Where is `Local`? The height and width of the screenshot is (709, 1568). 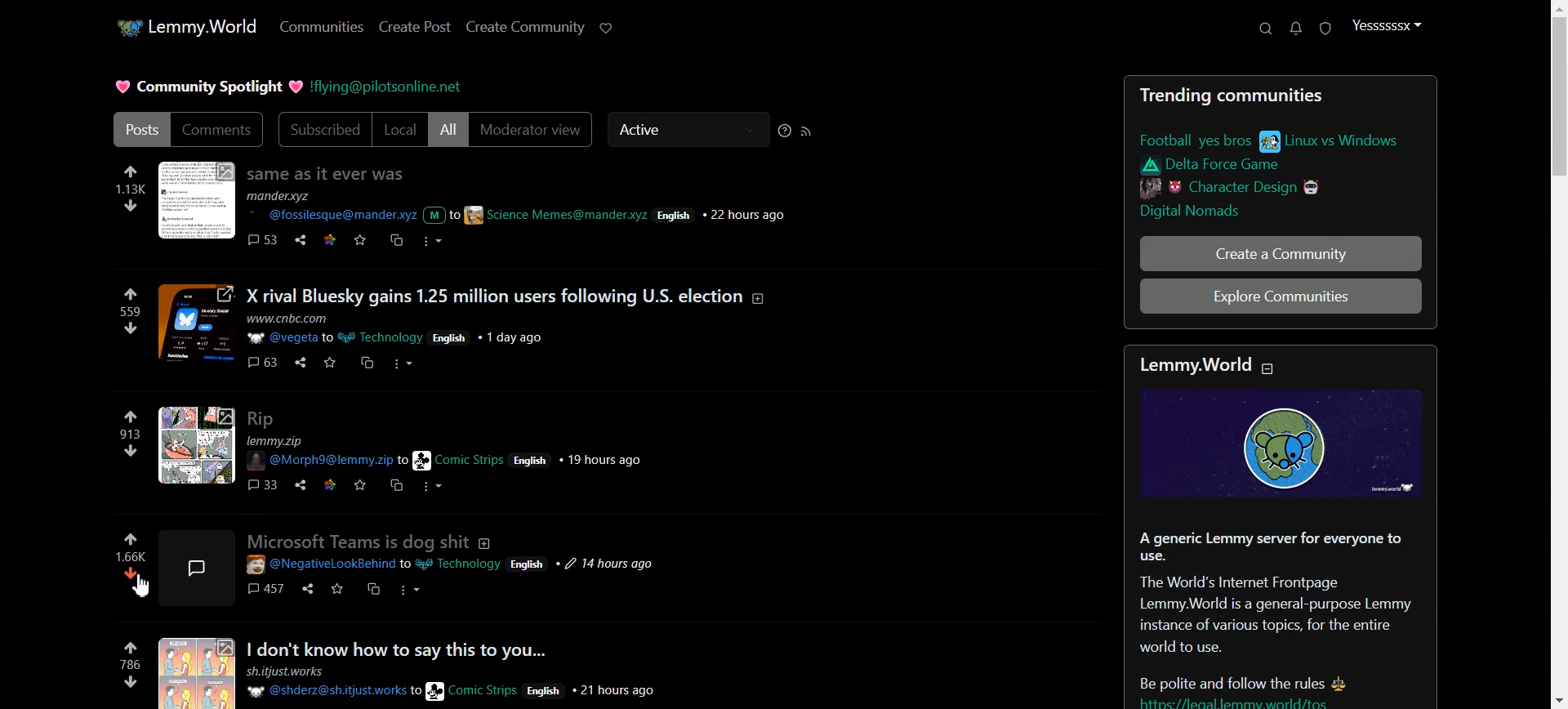
Local is located at coordinates (401, 130).